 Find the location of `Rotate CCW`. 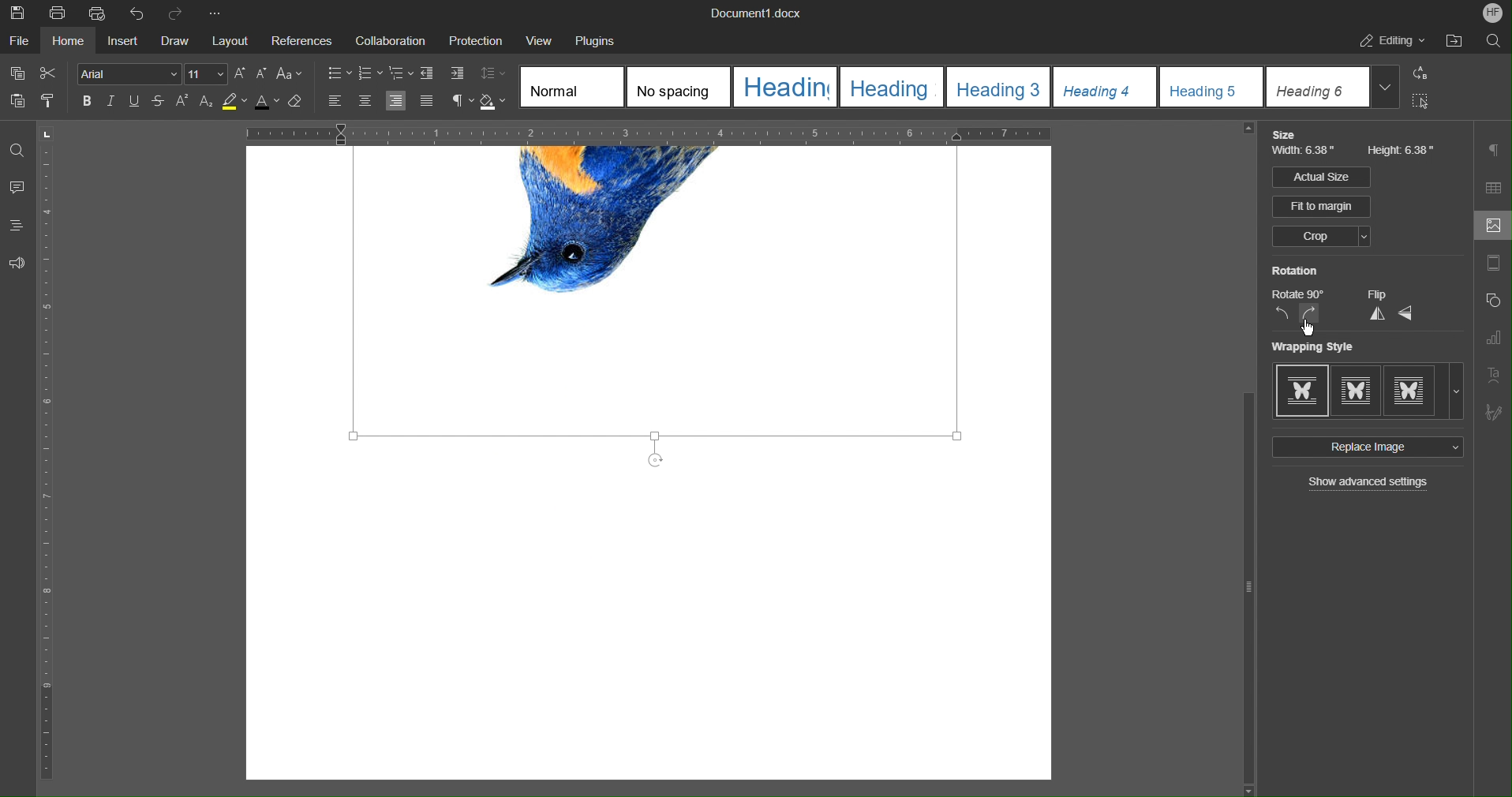

Rotate CCW is located at coordinates (1286, 314).